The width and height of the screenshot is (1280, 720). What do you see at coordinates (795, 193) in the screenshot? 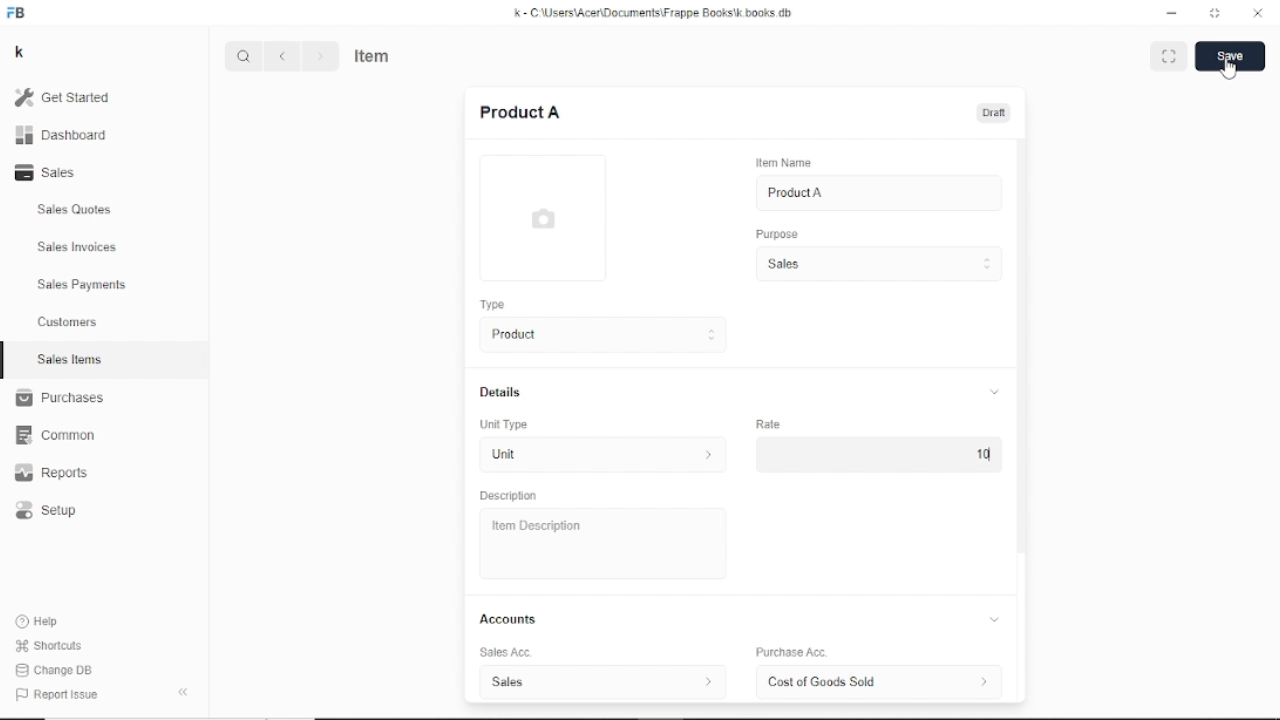
I see `Product A` at bounding box center [795, 193].